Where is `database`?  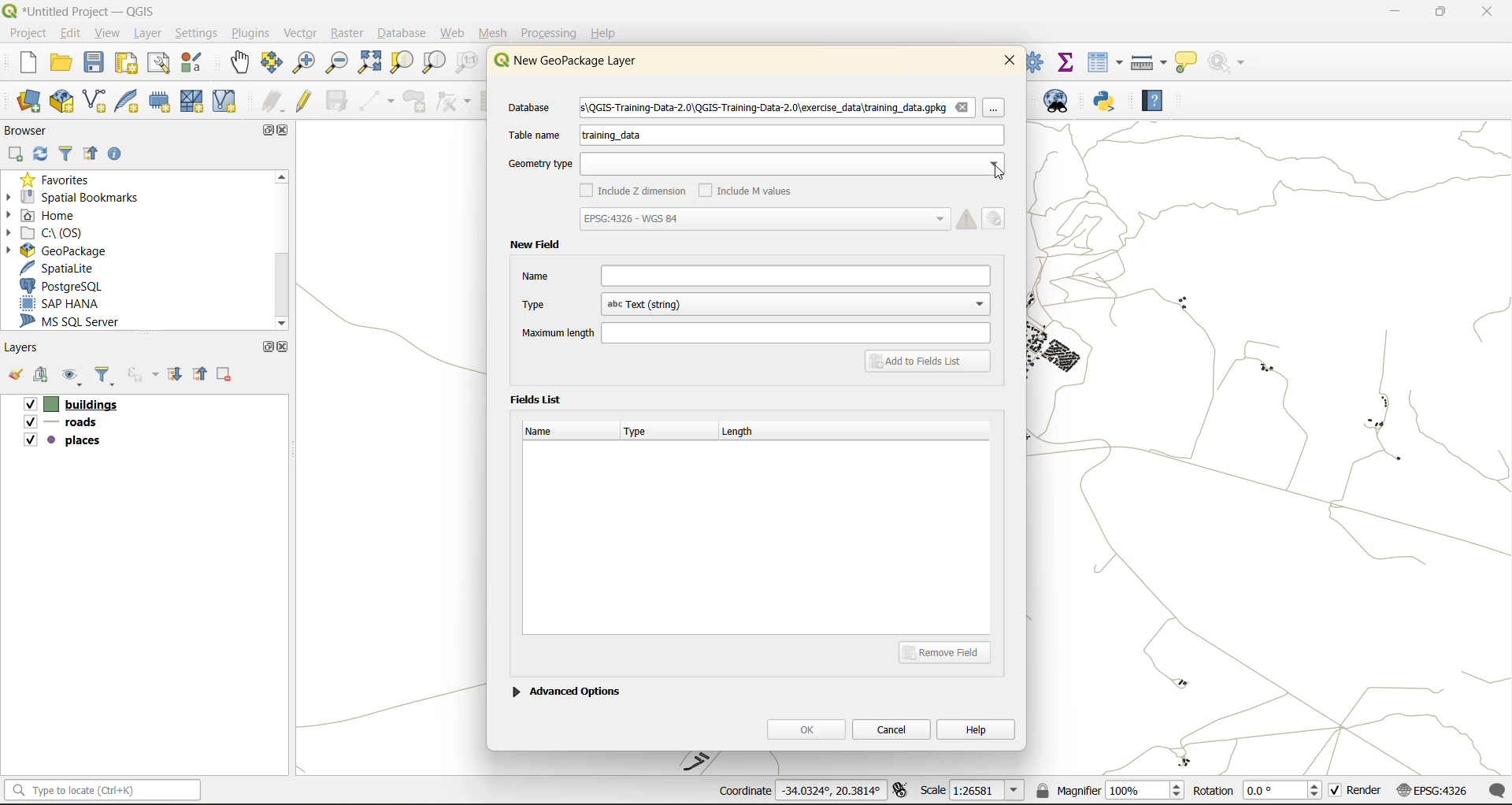
database is located at coordinates (406, 35).